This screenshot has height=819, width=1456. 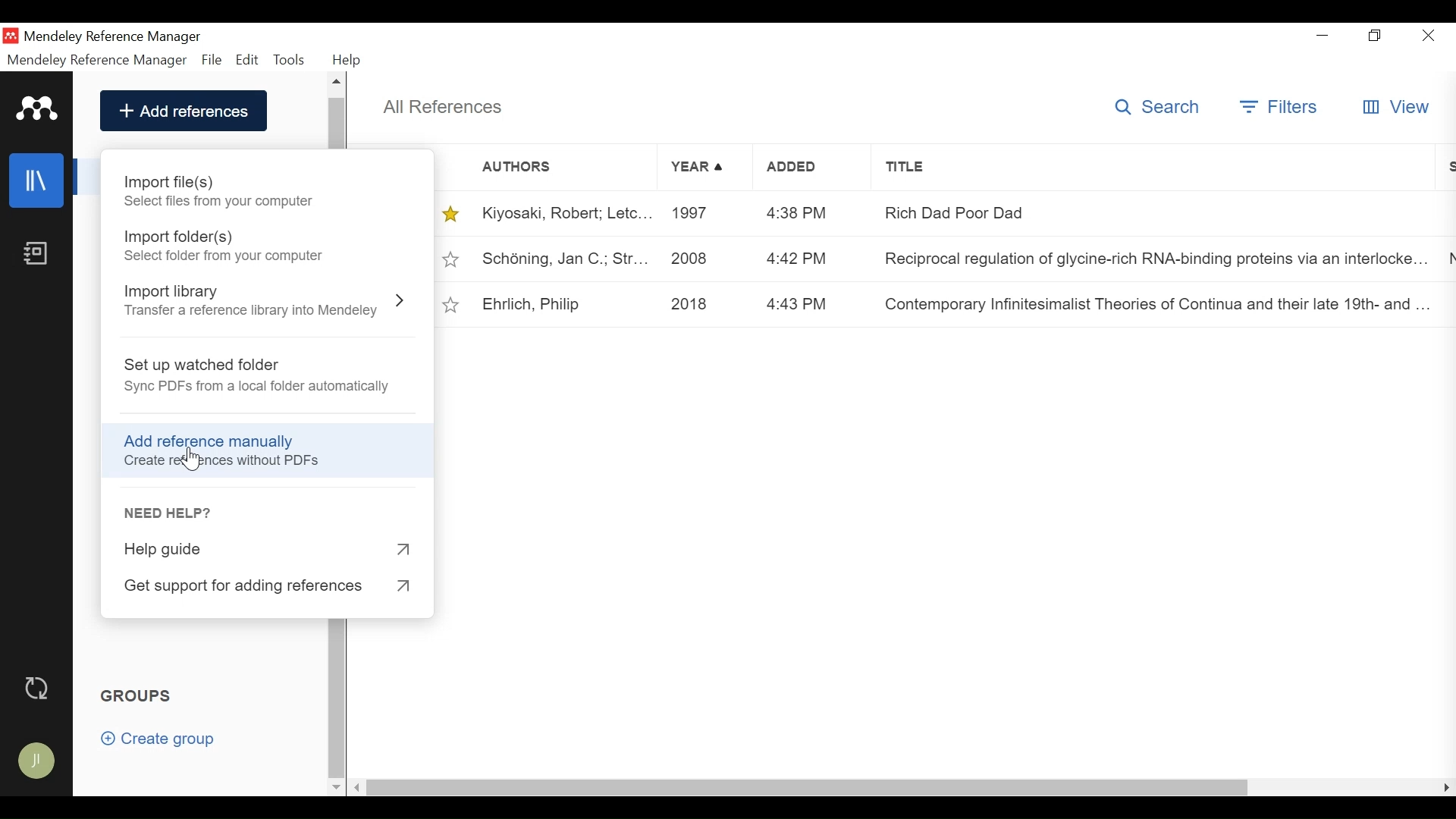 What do you see at coordinates (1373, 36) in the screenshot?
I see `Restore` at bounding box center [1373, 36].